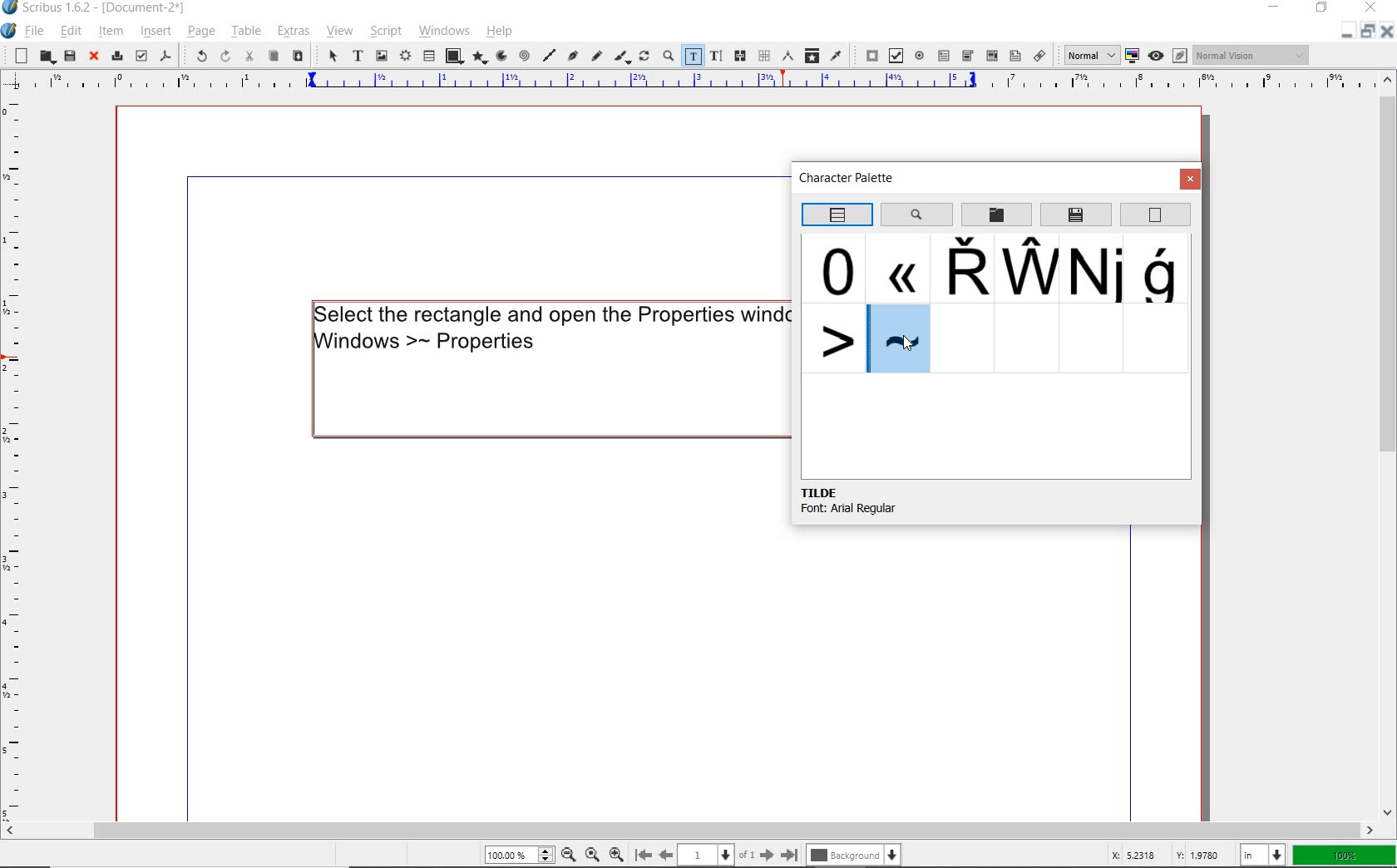 The image size is (1397, 868). What do you see at coordinates (524, 55) in the screenshot?
I see `spiral` at bounding box center [524, 55].